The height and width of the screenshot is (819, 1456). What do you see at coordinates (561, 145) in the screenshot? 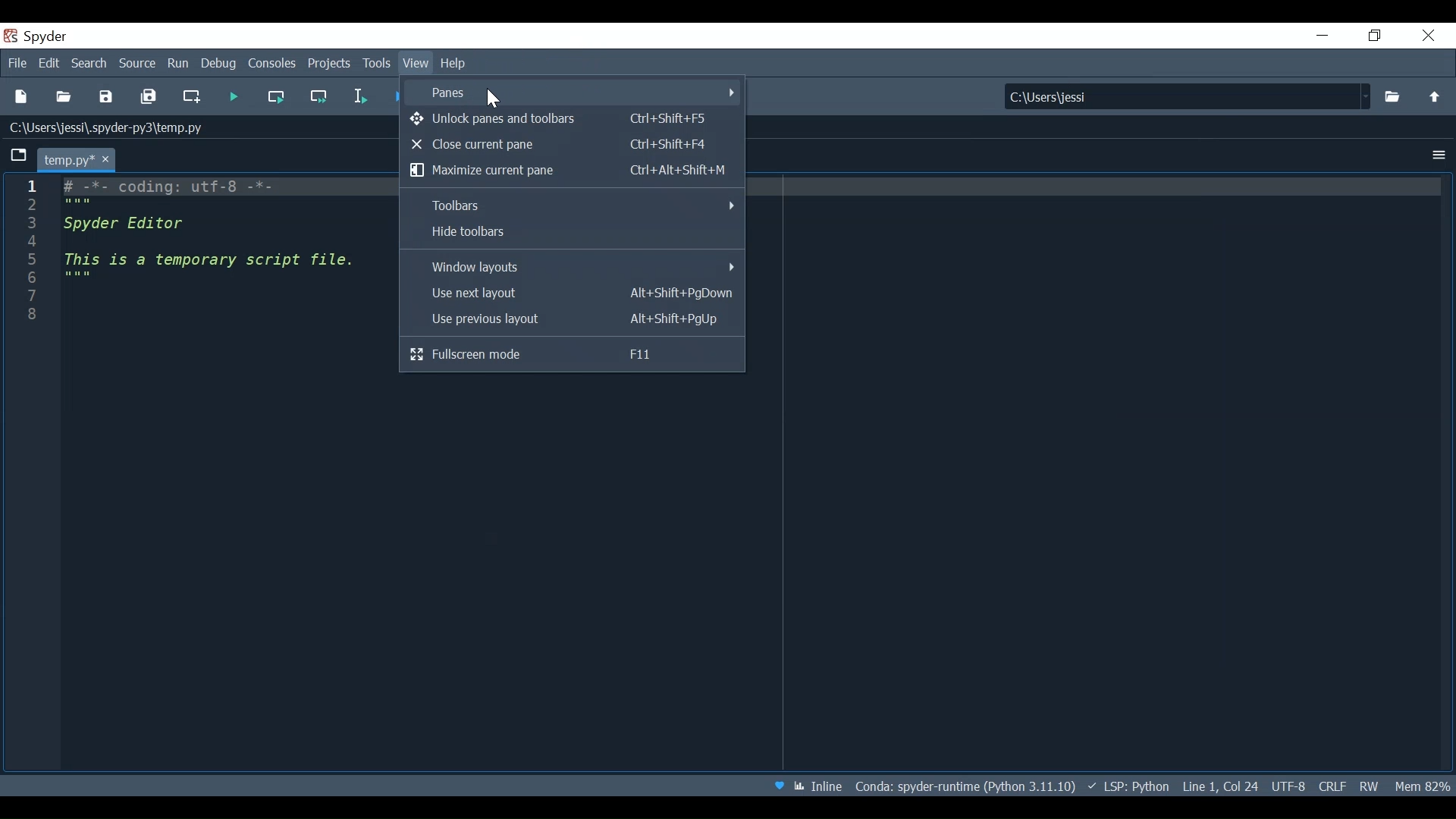
I see `Close current pane` at bounding box center [561, 145].